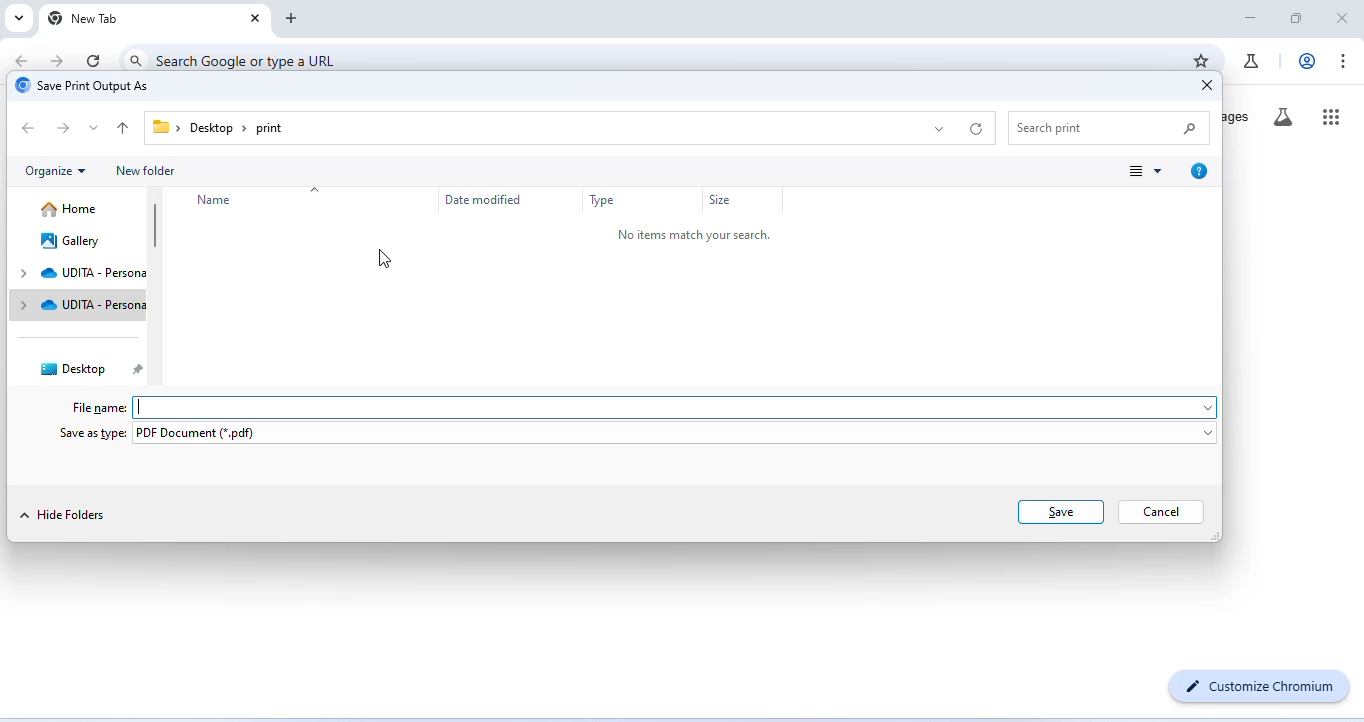  Describe the element at coordinates (17, 18) in the screenshot. I see `search tabs` at that location.